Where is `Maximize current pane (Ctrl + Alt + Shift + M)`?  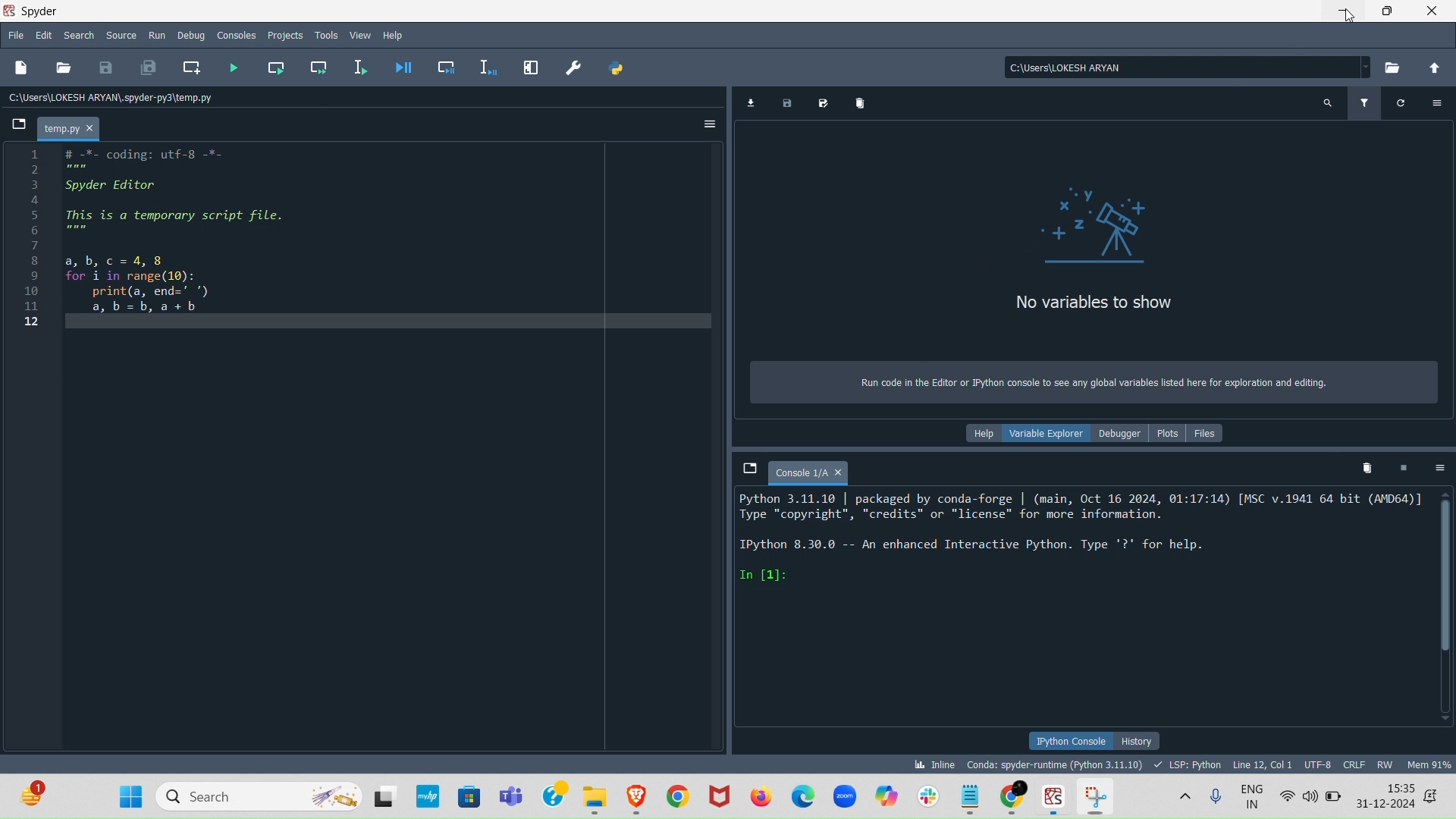 Maximize current pane (Ctrl + Alt + Shift + M) is located at coordinates (529, 66).